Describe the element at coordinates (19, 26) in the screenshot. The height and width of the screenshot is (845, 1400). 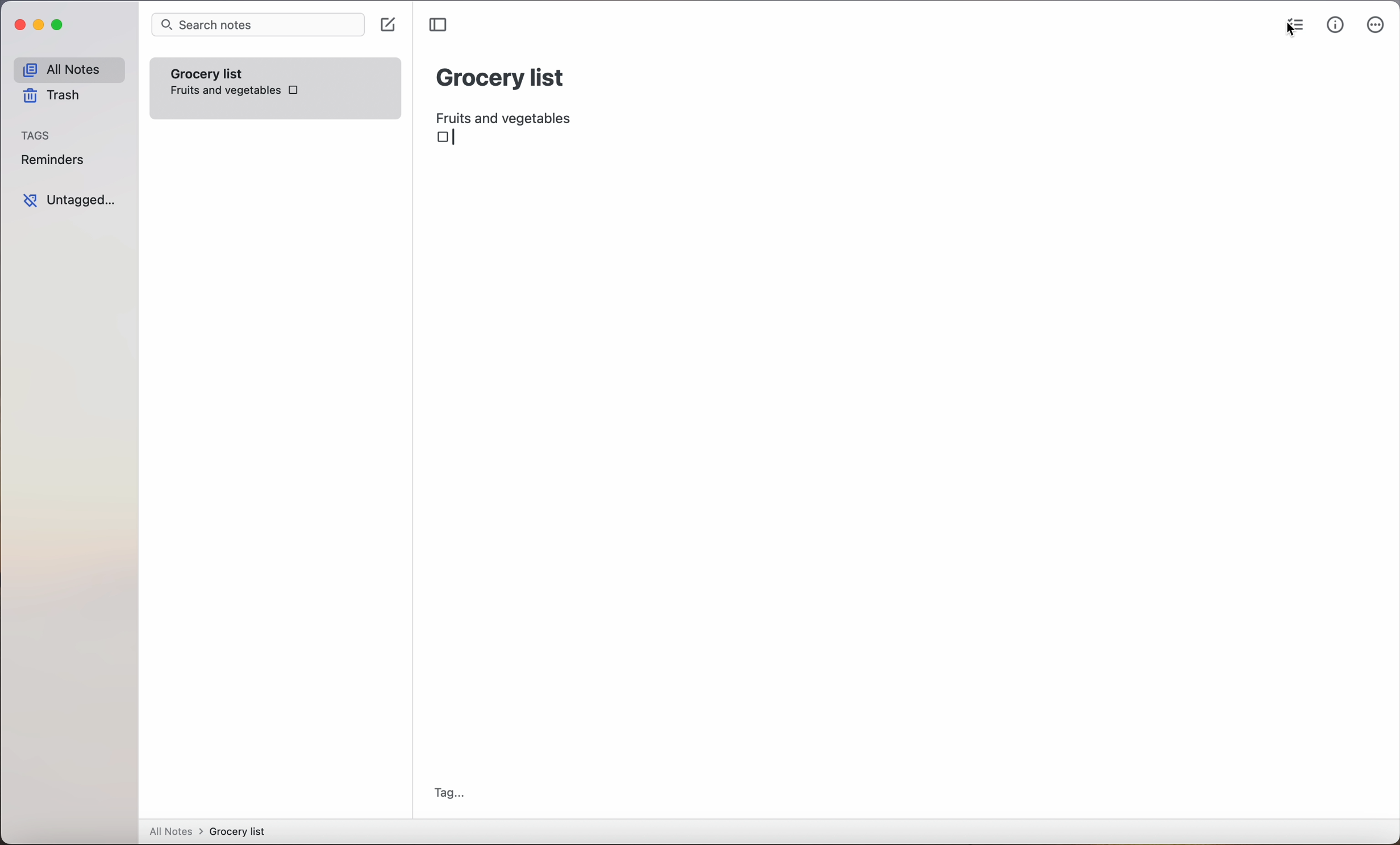
I see `close Simplenote` at that location.